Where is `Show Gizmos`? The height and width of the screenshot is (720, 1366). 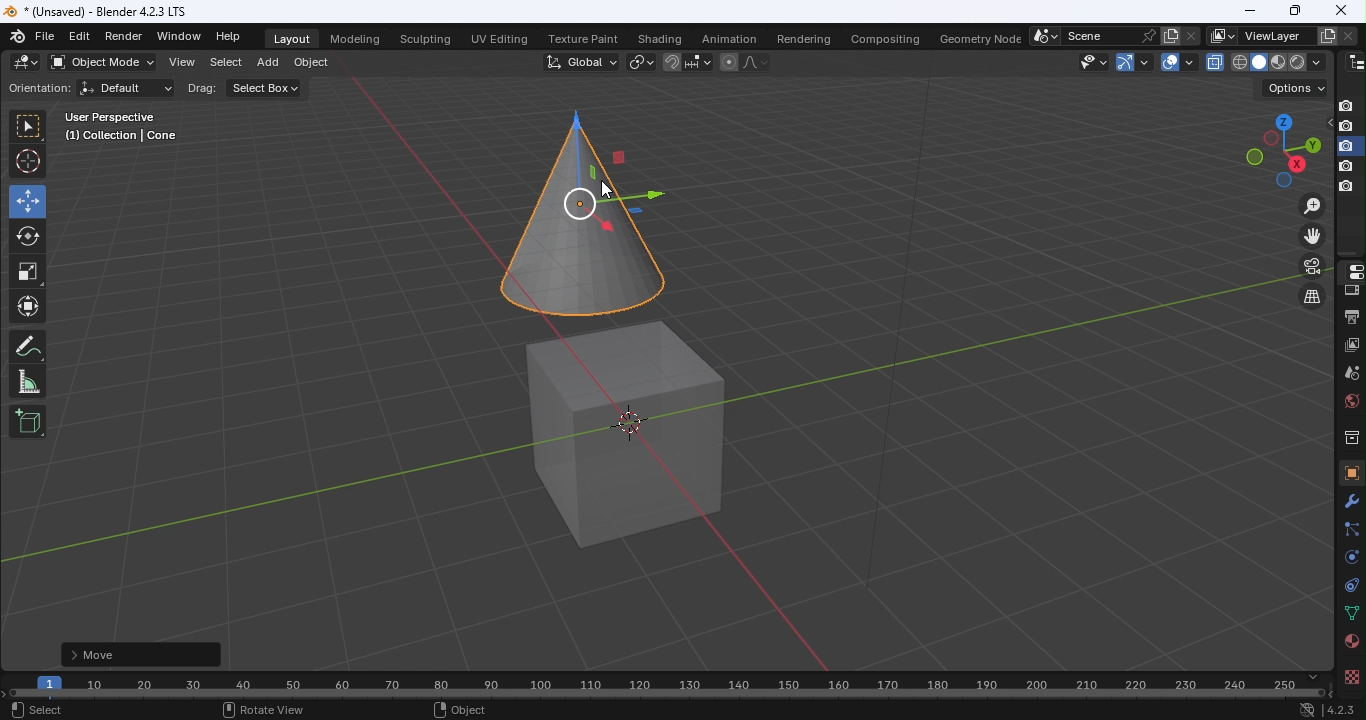
Show Gizmos is located at coordinates (1145, 61).